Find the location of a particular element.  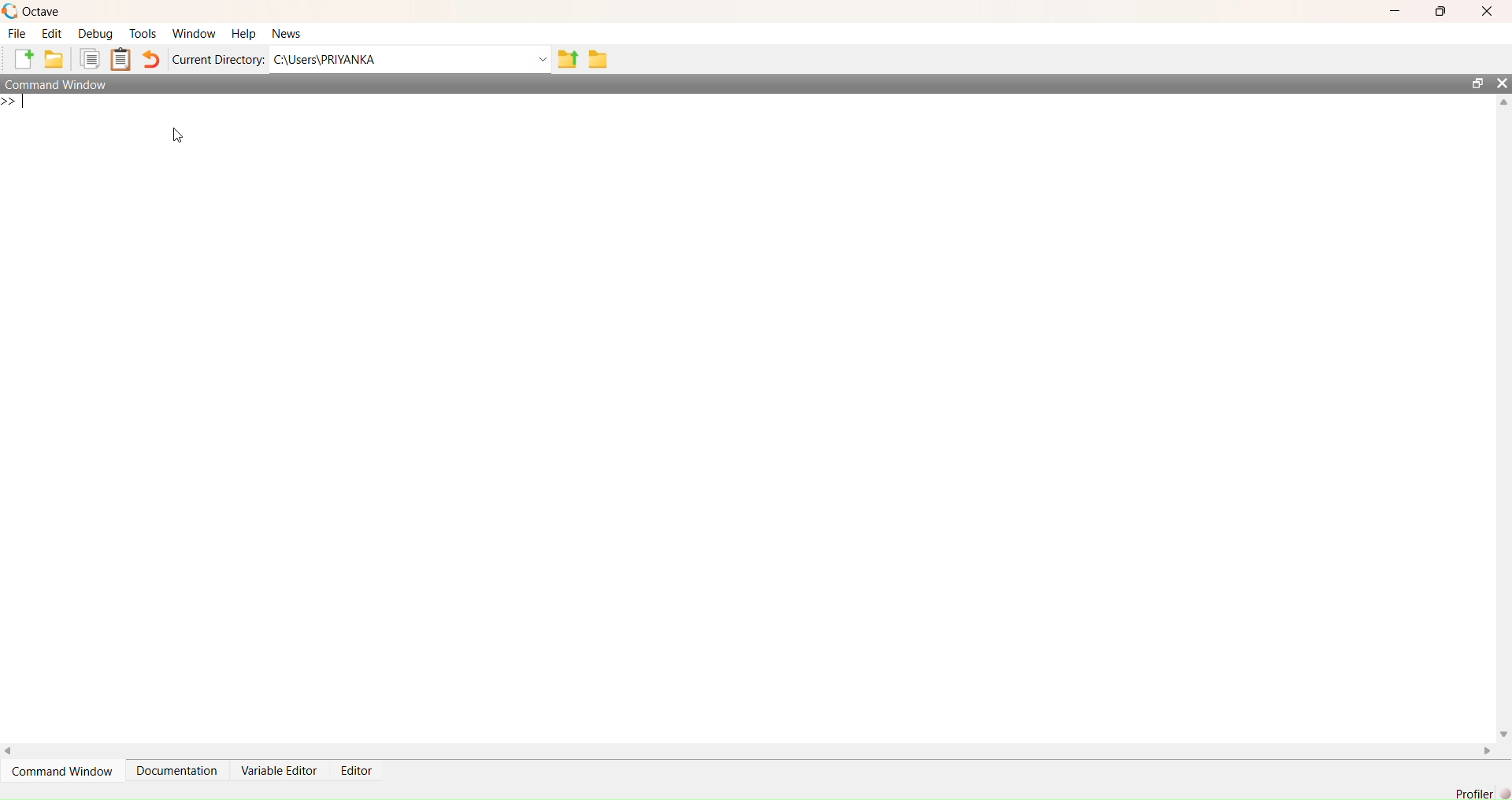

close is located at coordinates (1502, 83).